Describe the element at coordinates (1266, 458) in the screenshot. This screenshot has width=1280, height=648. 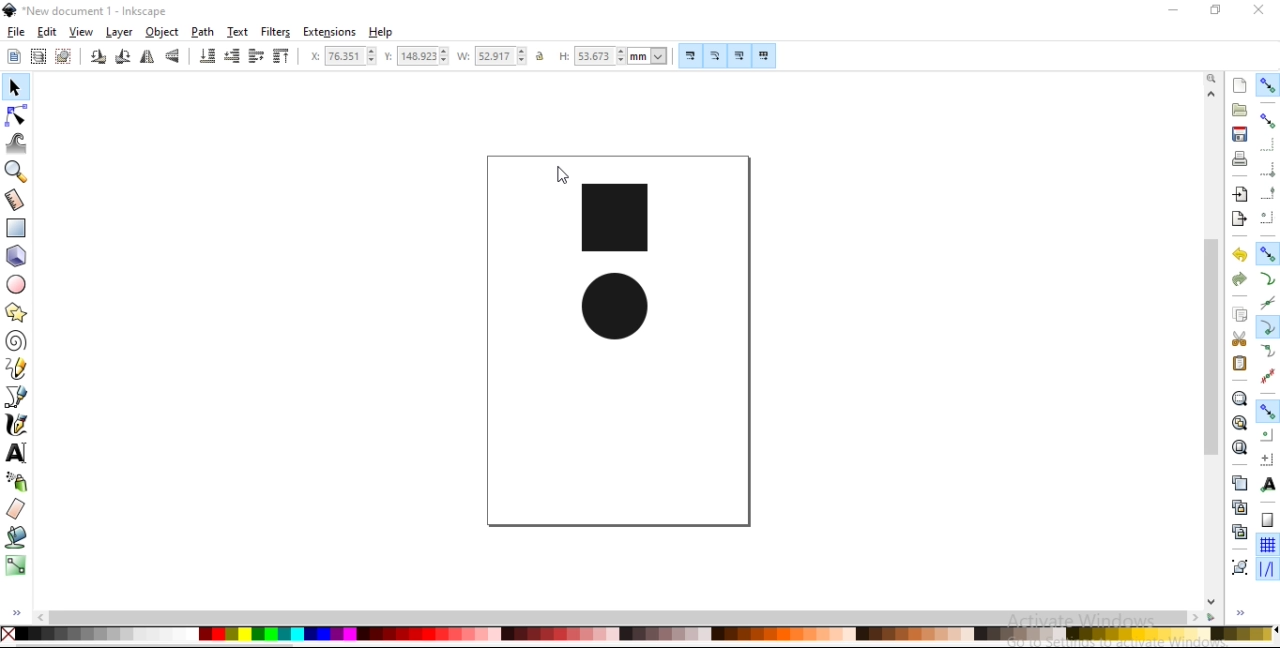
I see `snap an items rotation center` at that location.